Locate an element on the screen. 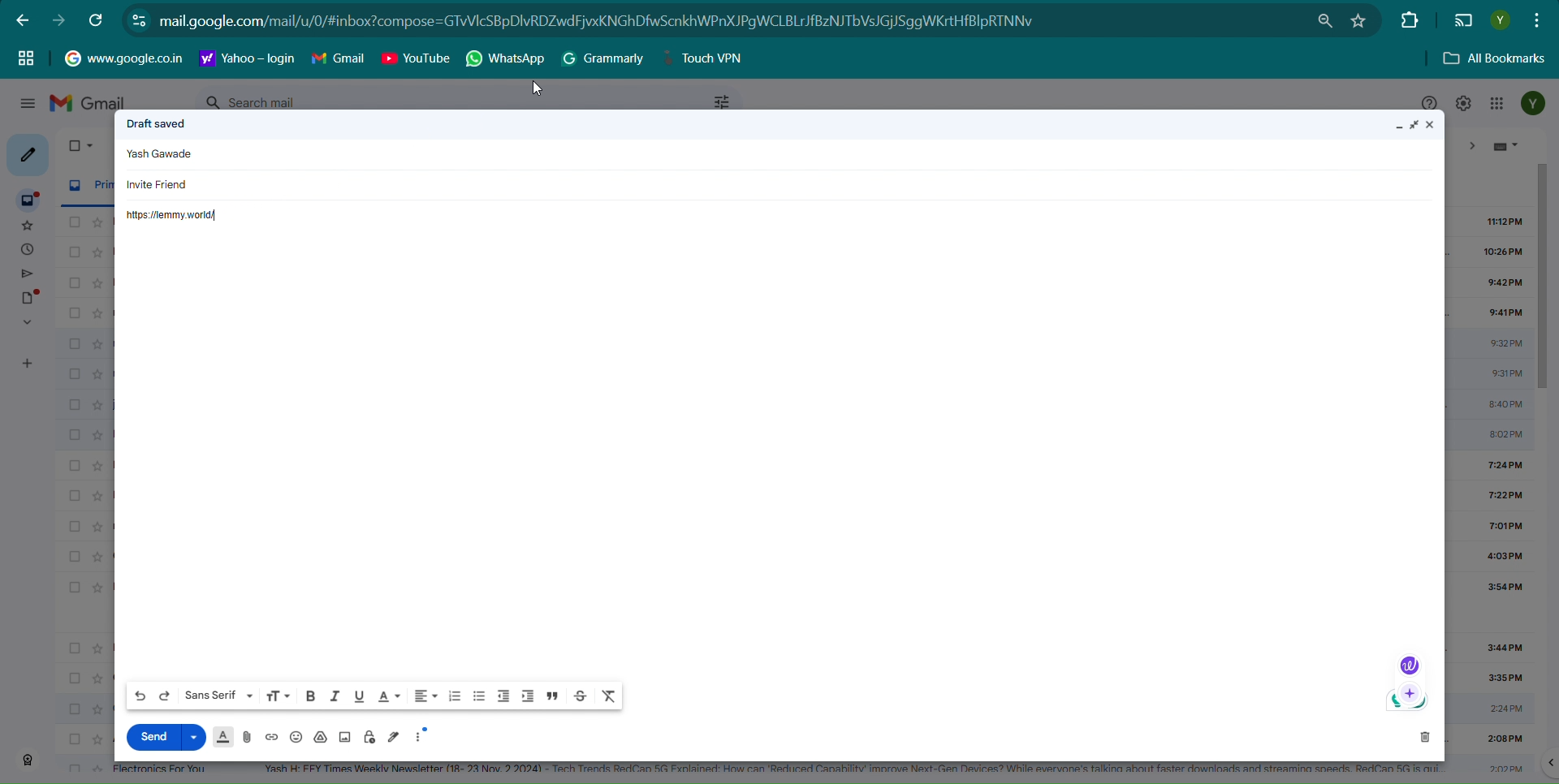  Size is located at coordinates (278, 696).